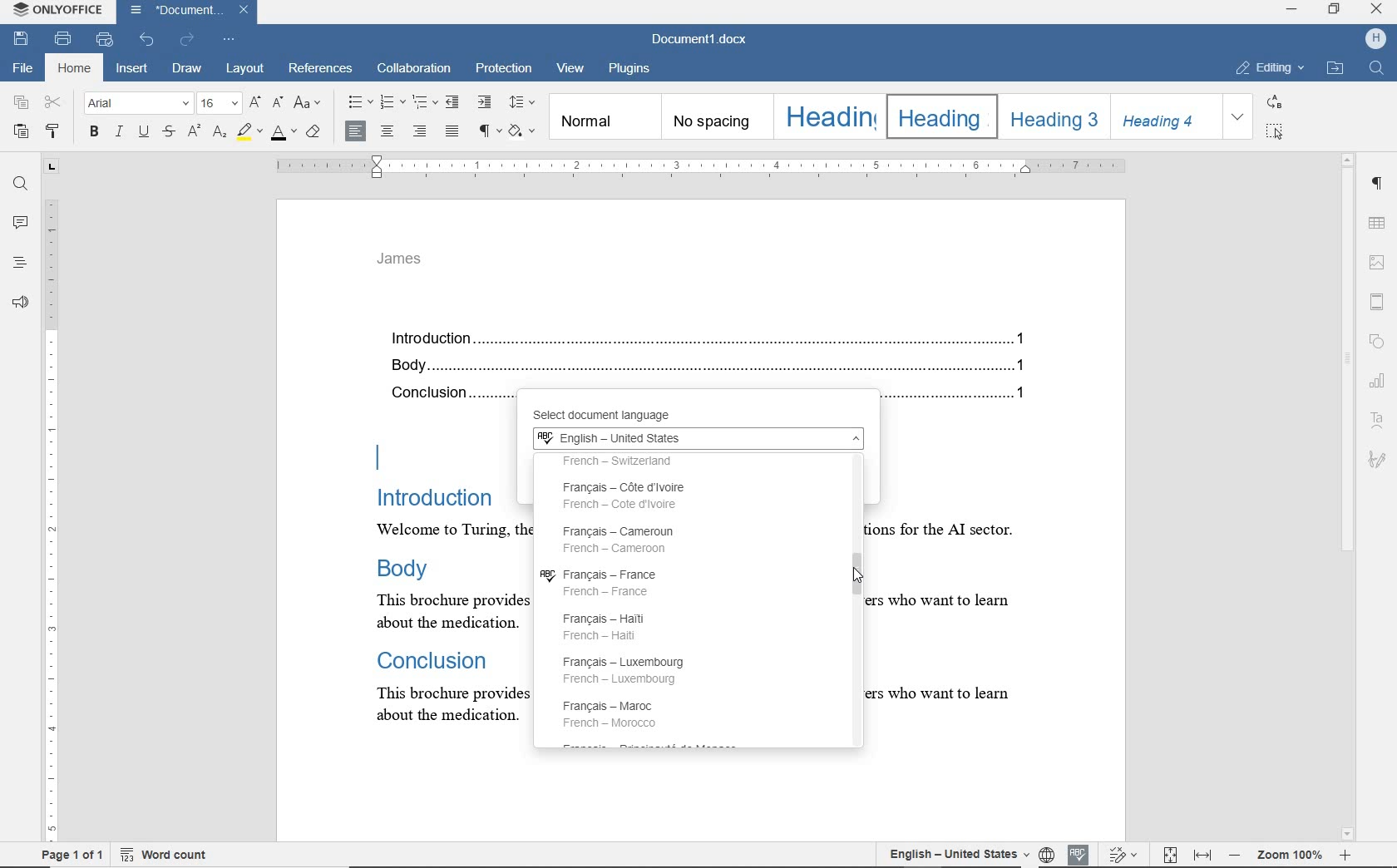 The height and width of the screenshot is (868, 1397). What do you see at coordinates (1239, 117) in the screenshot?
I see `EXPAND` at bounding box center [1239, 117].